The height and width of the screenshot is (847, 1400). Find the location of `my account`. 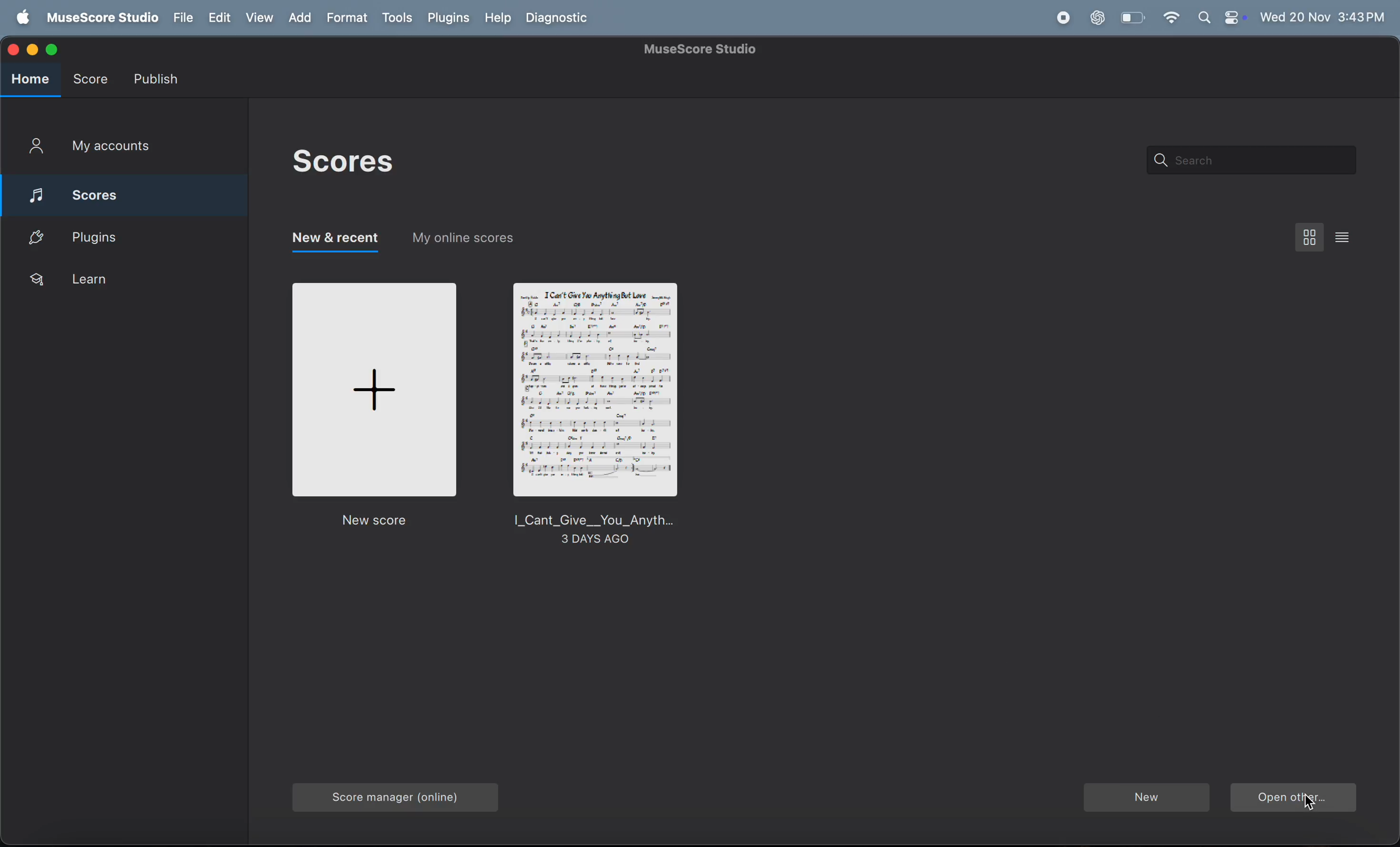

my account is located at coordinates (111, 150).